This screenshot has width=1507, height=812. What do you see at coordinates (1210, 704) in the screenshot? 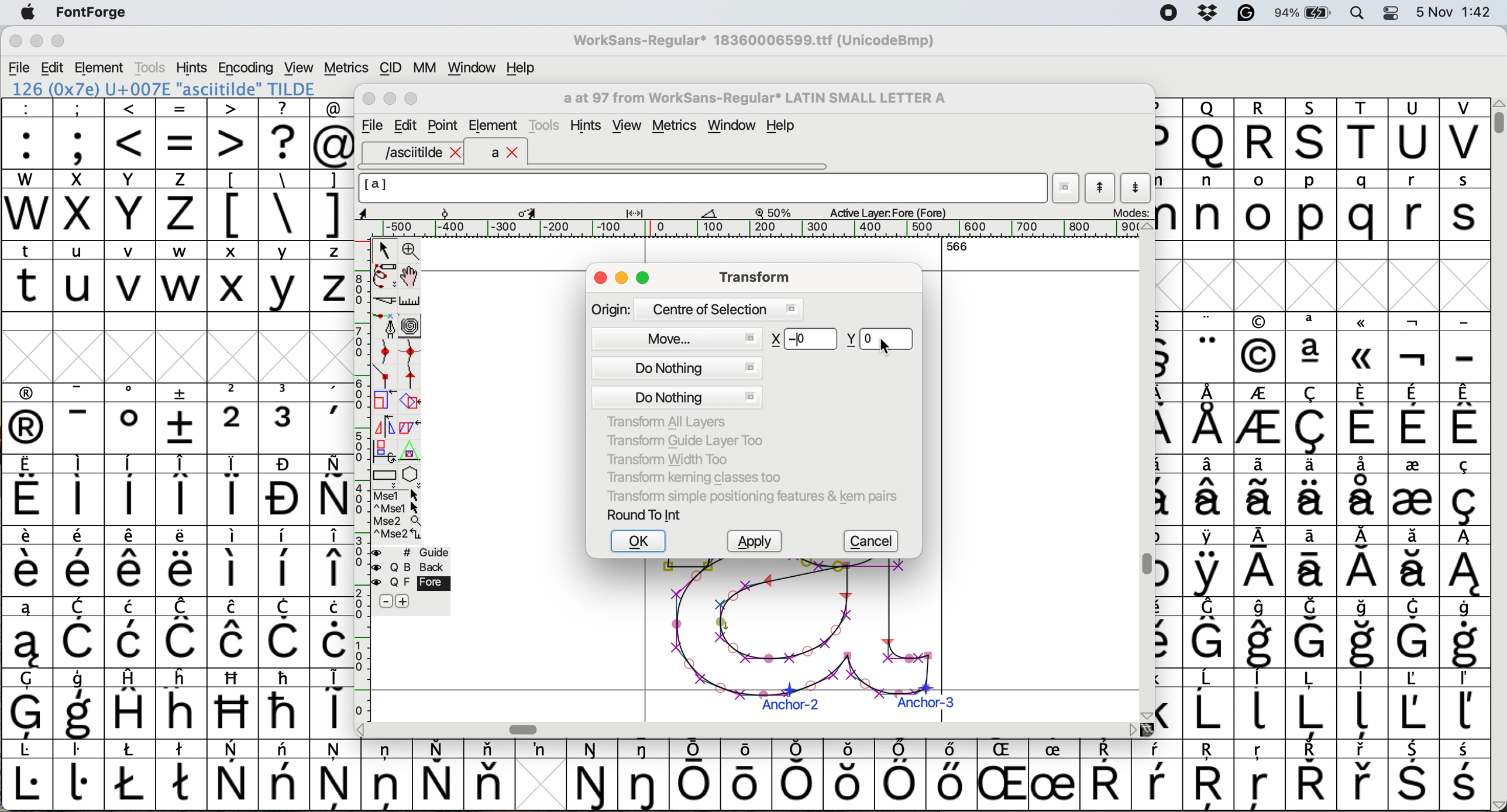
I see `symbol` at bounding box center [1210, 704].